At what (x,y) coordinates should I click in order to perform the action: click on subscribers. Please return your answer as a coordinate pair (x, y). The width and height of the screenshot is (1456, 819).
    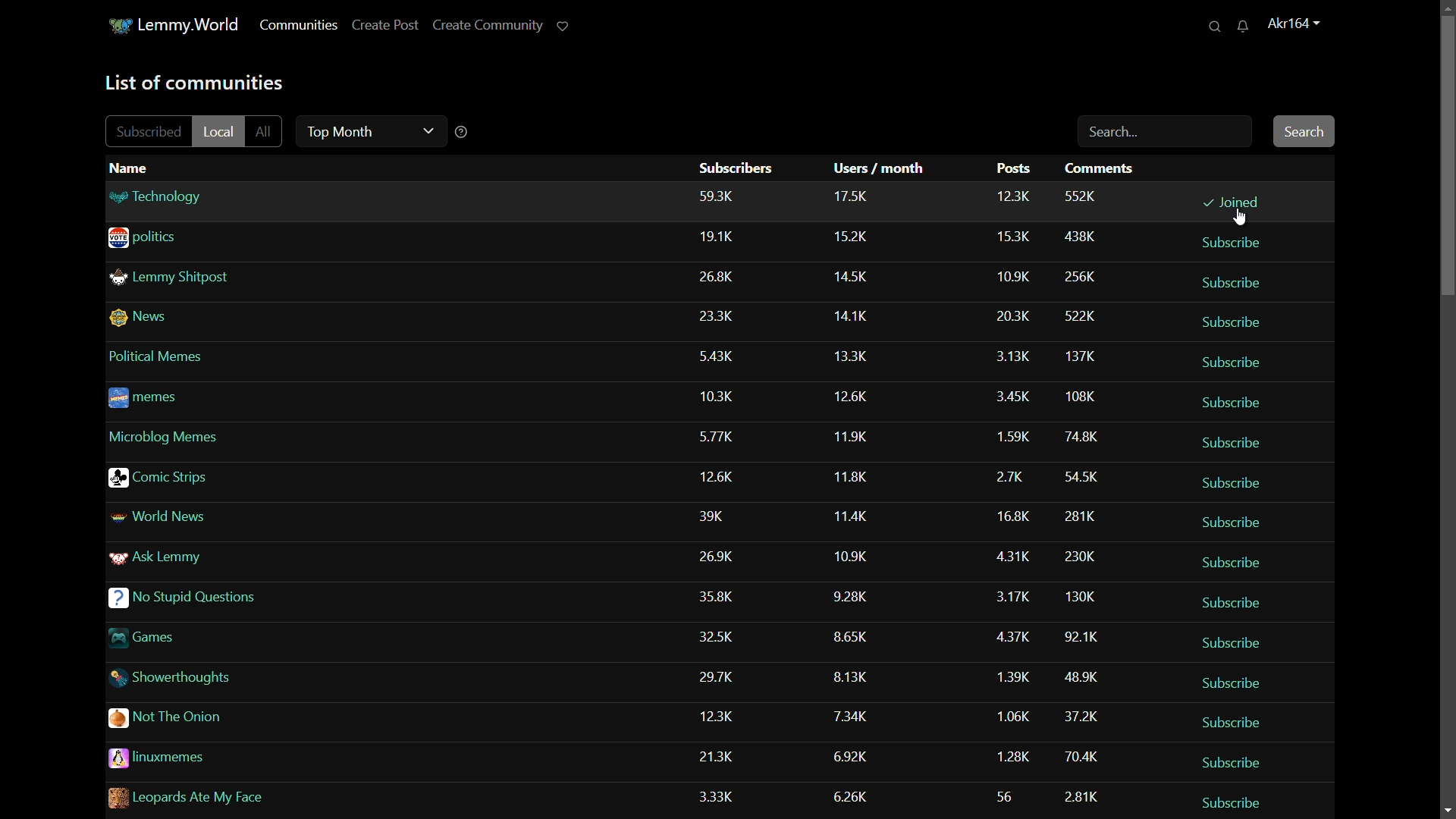
    Looking at the image, I should click on (723, 316).